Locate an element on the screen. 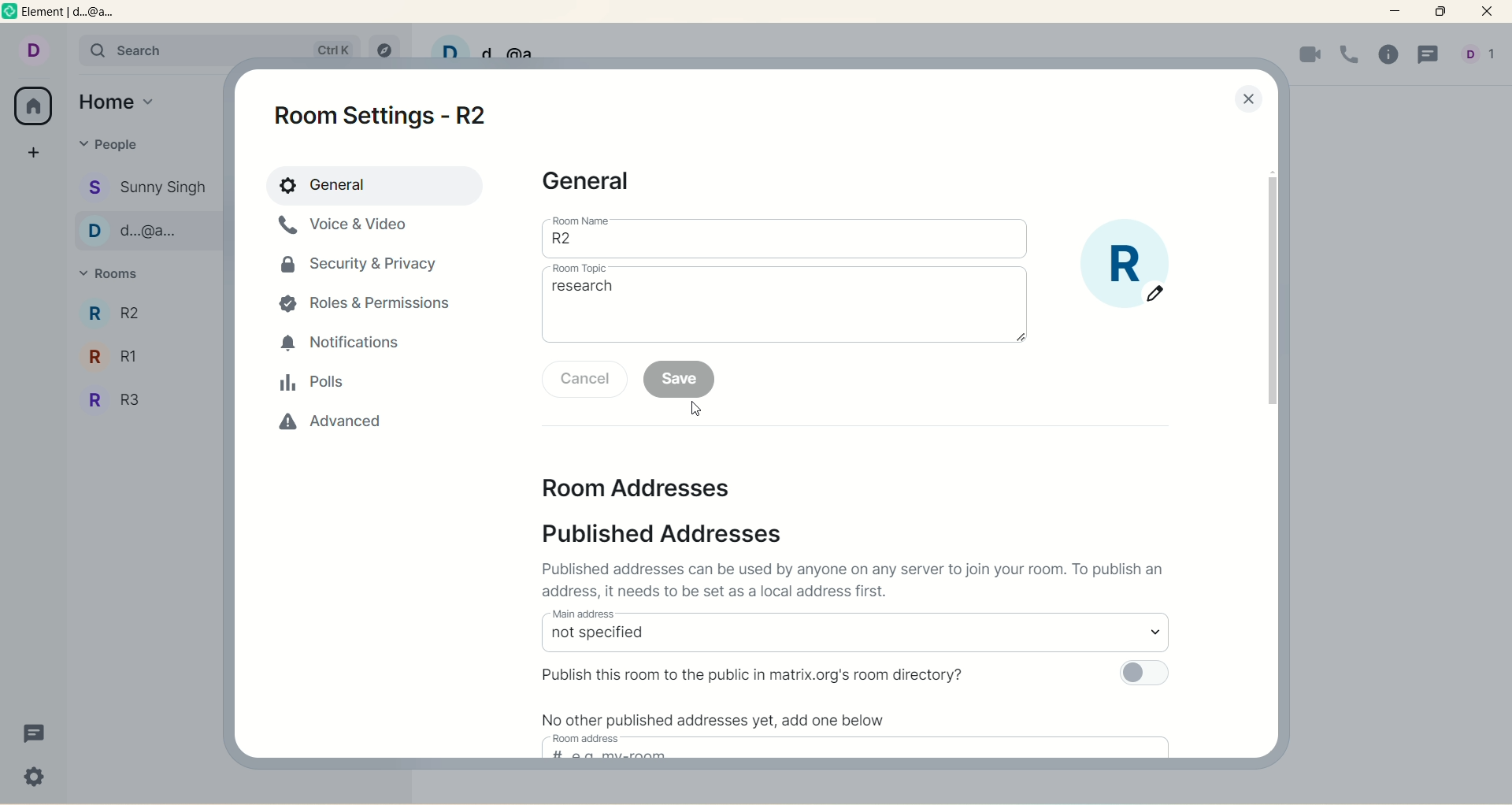 This screenshot has height=805, width=1512. select main address is located at coordinates (854, 639).